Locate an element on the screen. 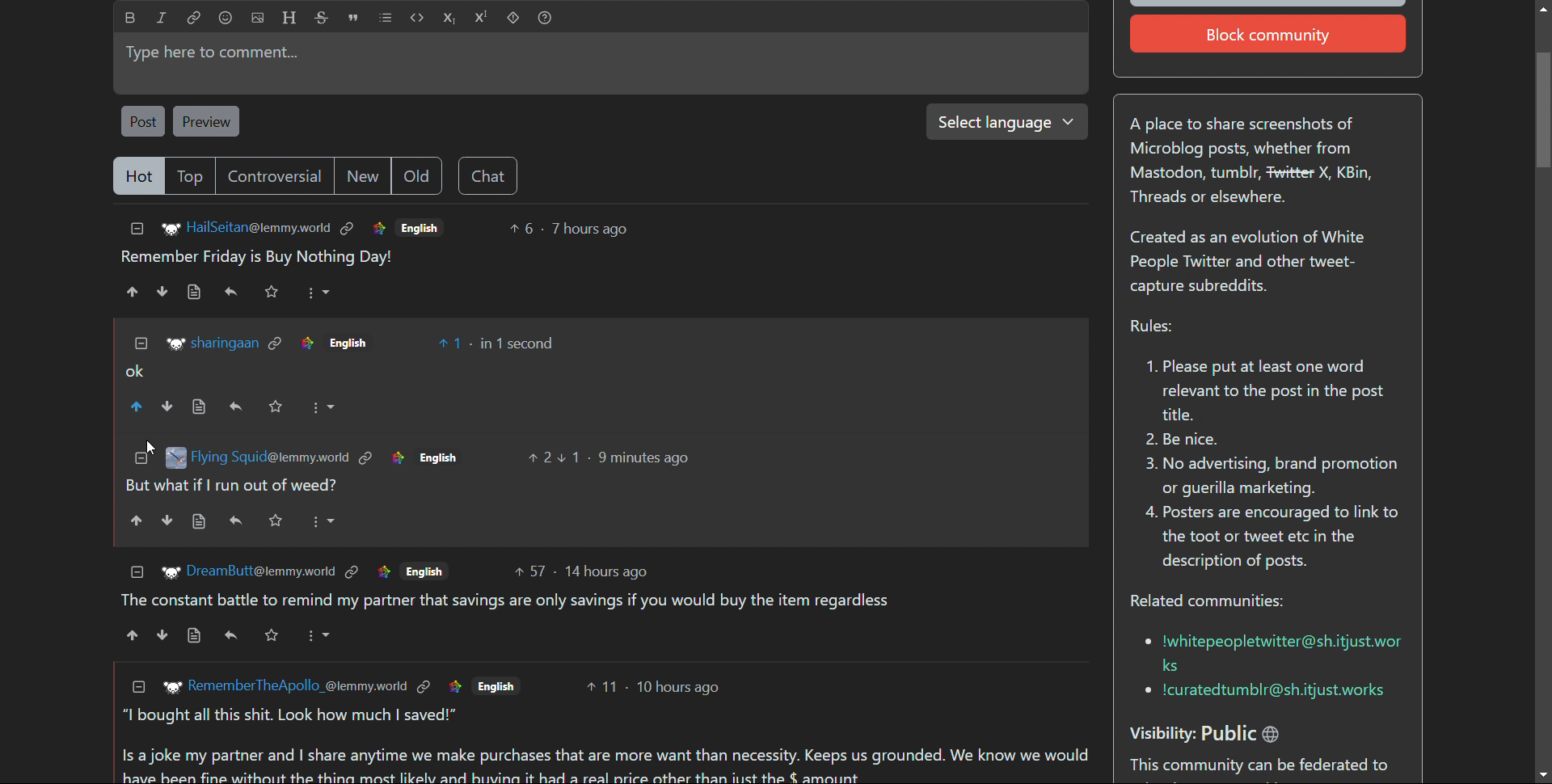  link is located at coordinates (395, 458).